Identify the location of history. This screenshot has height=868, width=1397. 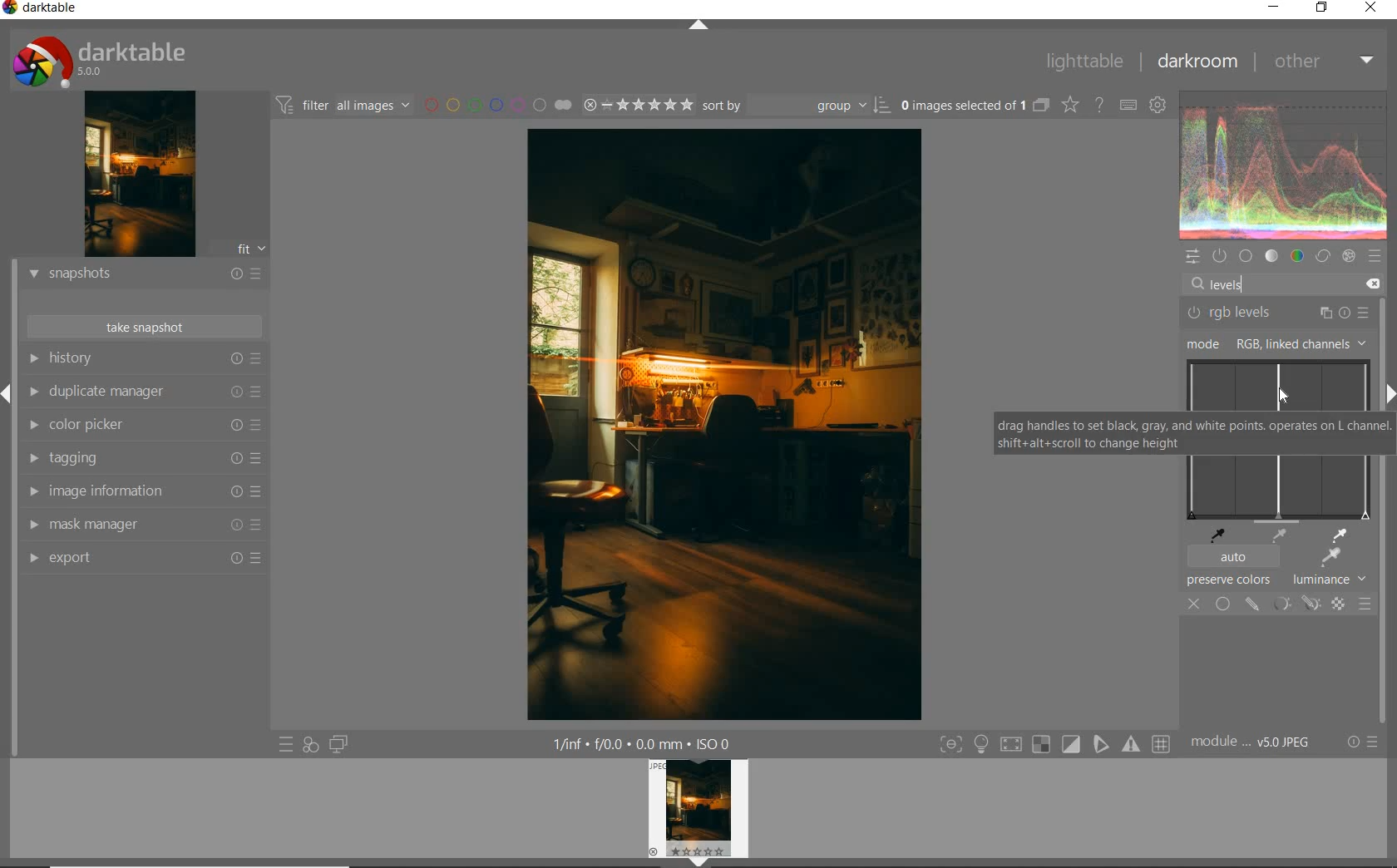
(144, 358).